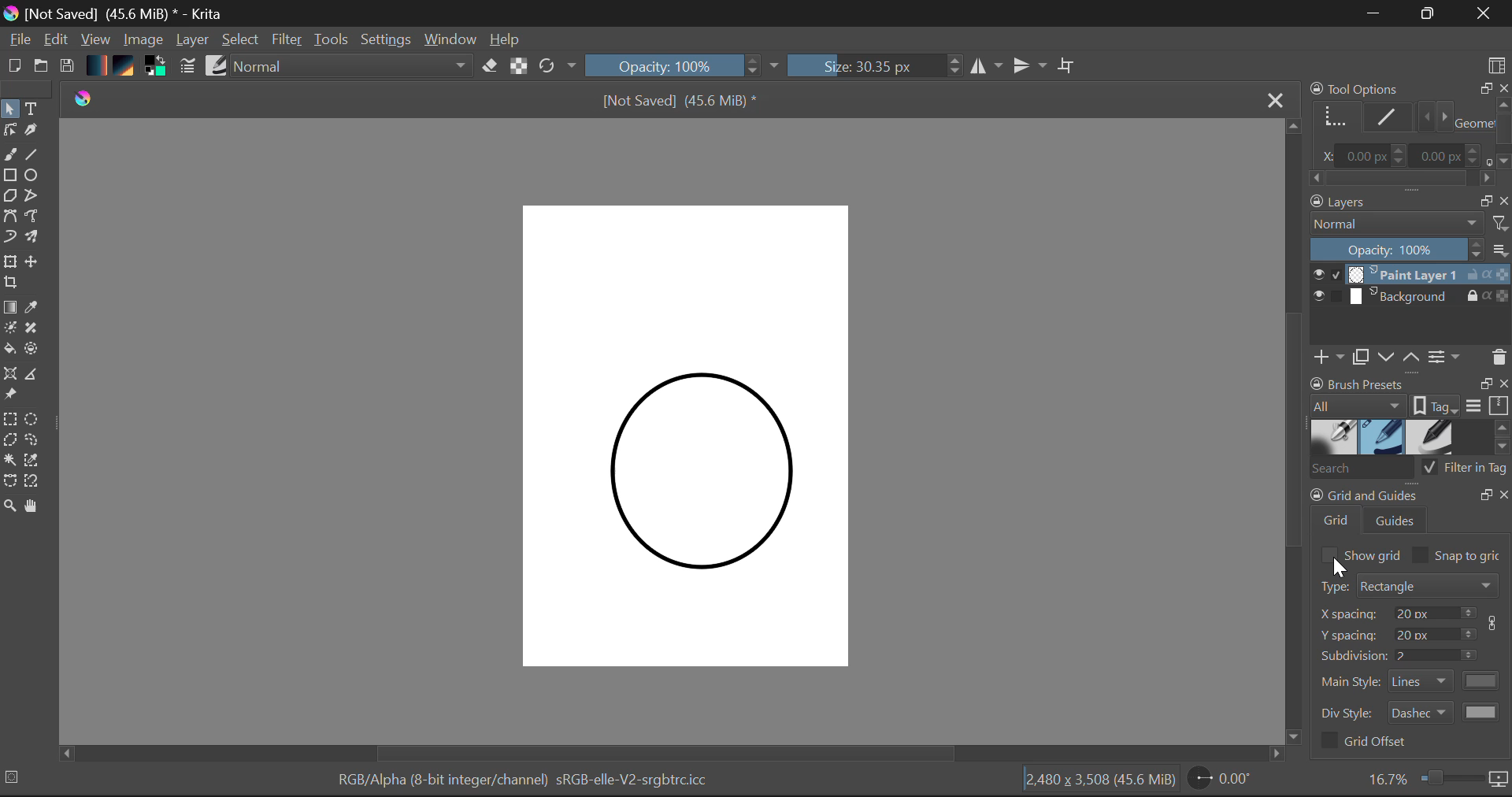  I want to click on Select, so click(10, 109).